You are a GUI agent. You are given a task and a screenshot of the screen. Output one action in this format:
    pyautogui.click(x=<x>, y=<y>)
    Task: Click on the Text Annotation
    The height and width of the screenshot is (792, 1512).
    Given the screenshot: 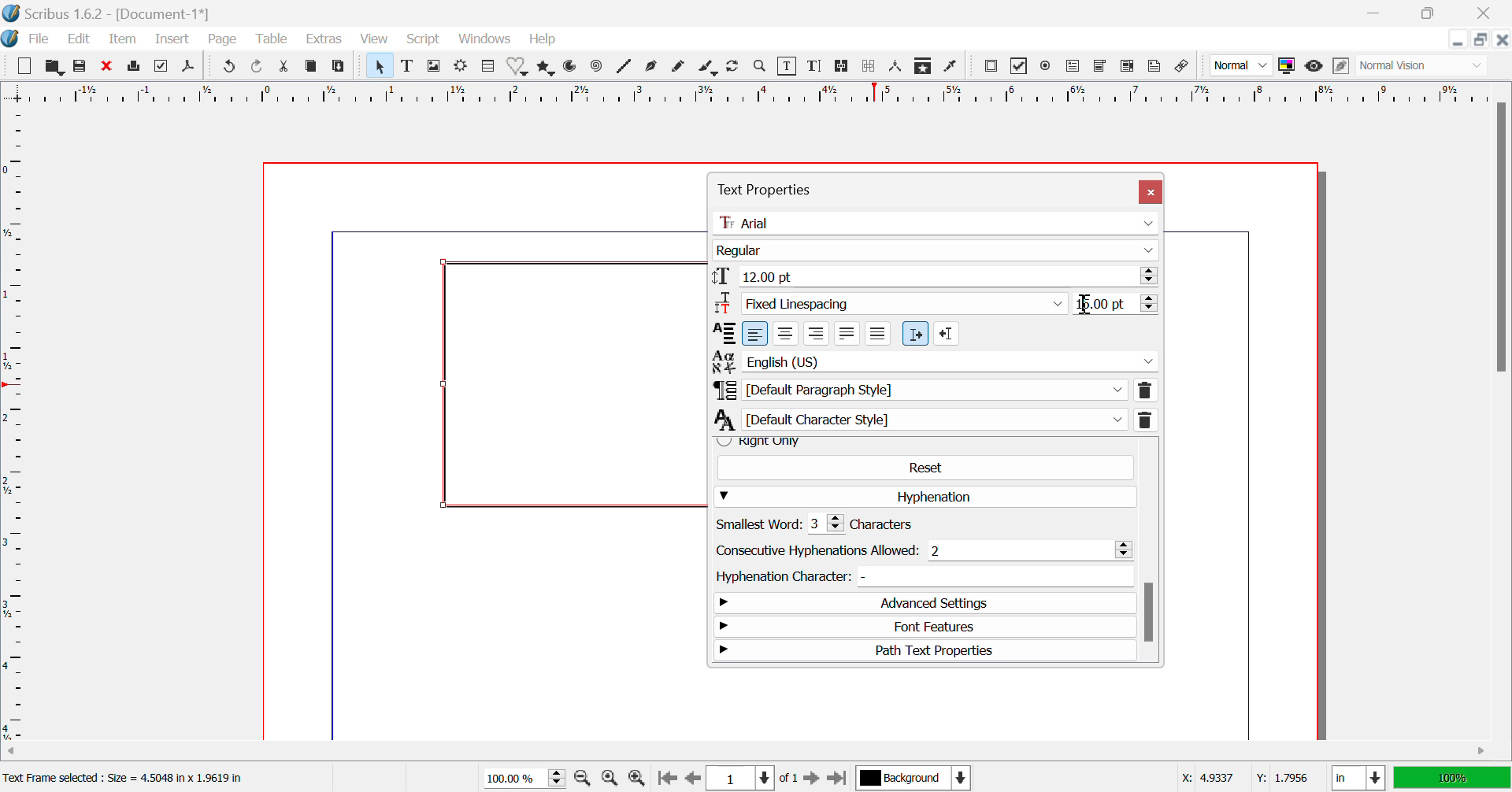 What is the action you would take?
    pyautogui.click(x=1156, y=67)
    